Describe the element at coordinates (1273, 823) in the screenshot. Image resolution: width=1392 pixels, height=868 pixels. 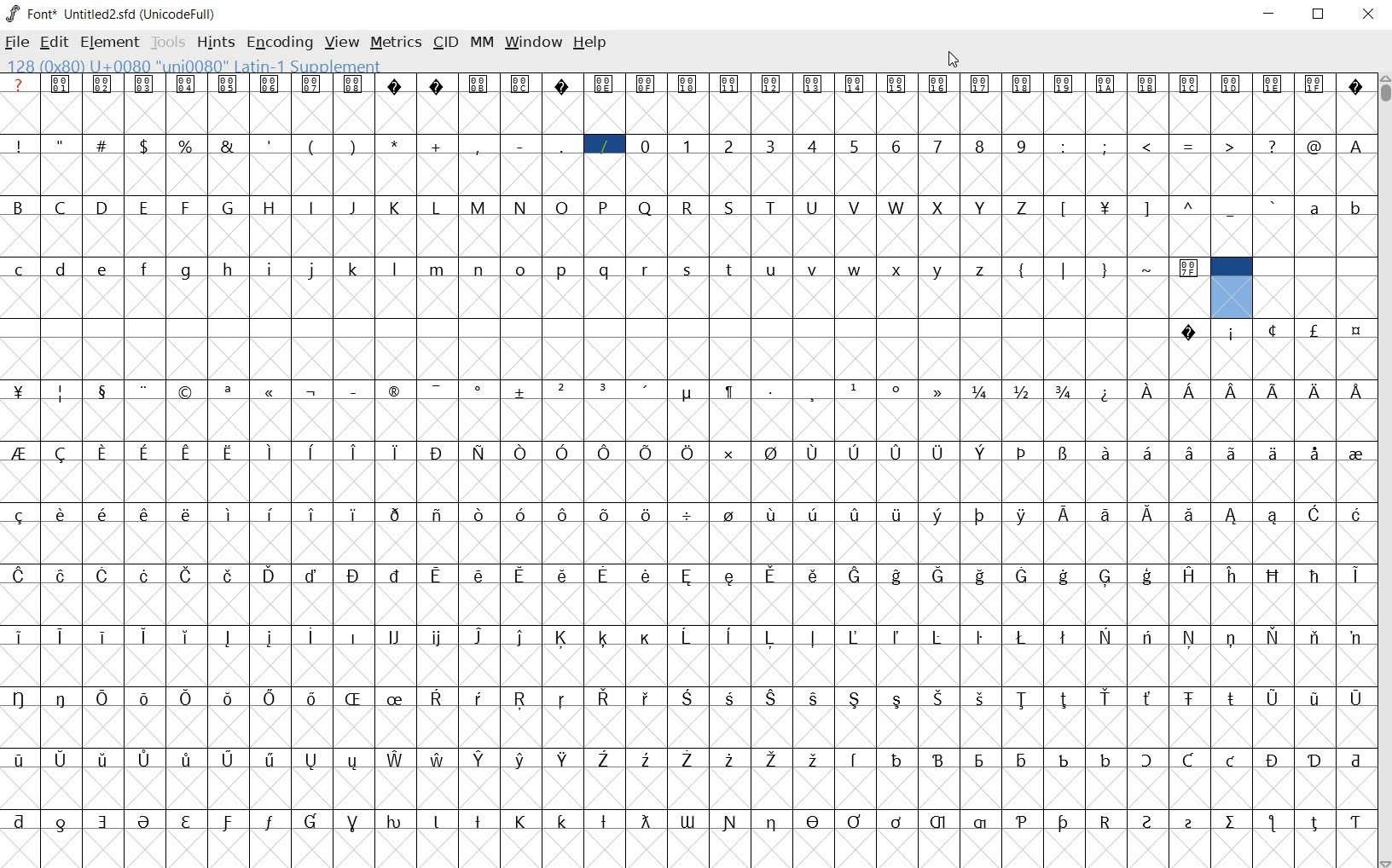
I see `Symbol` at that location.